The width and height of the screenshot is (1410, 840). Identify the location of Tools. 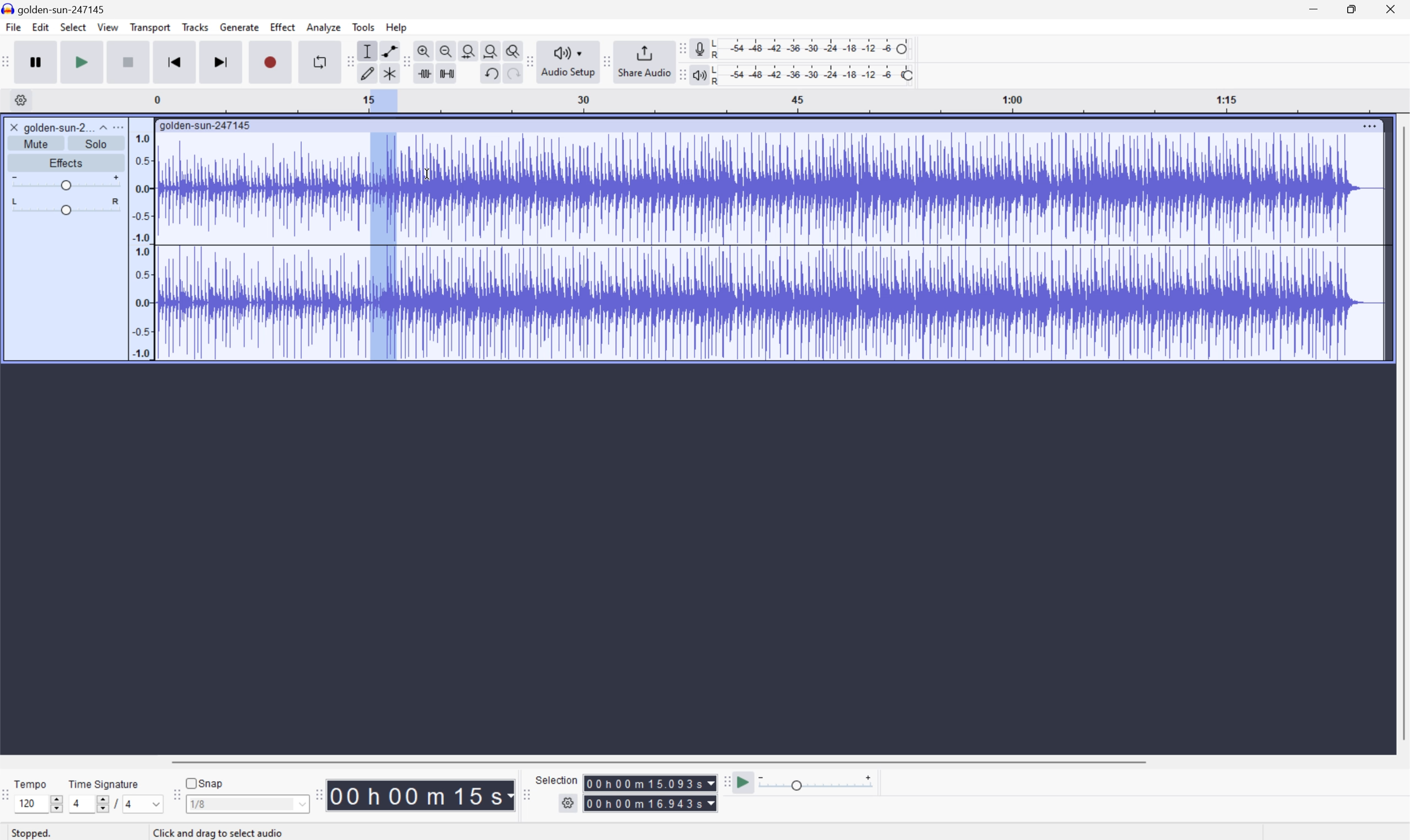
(364, 27).